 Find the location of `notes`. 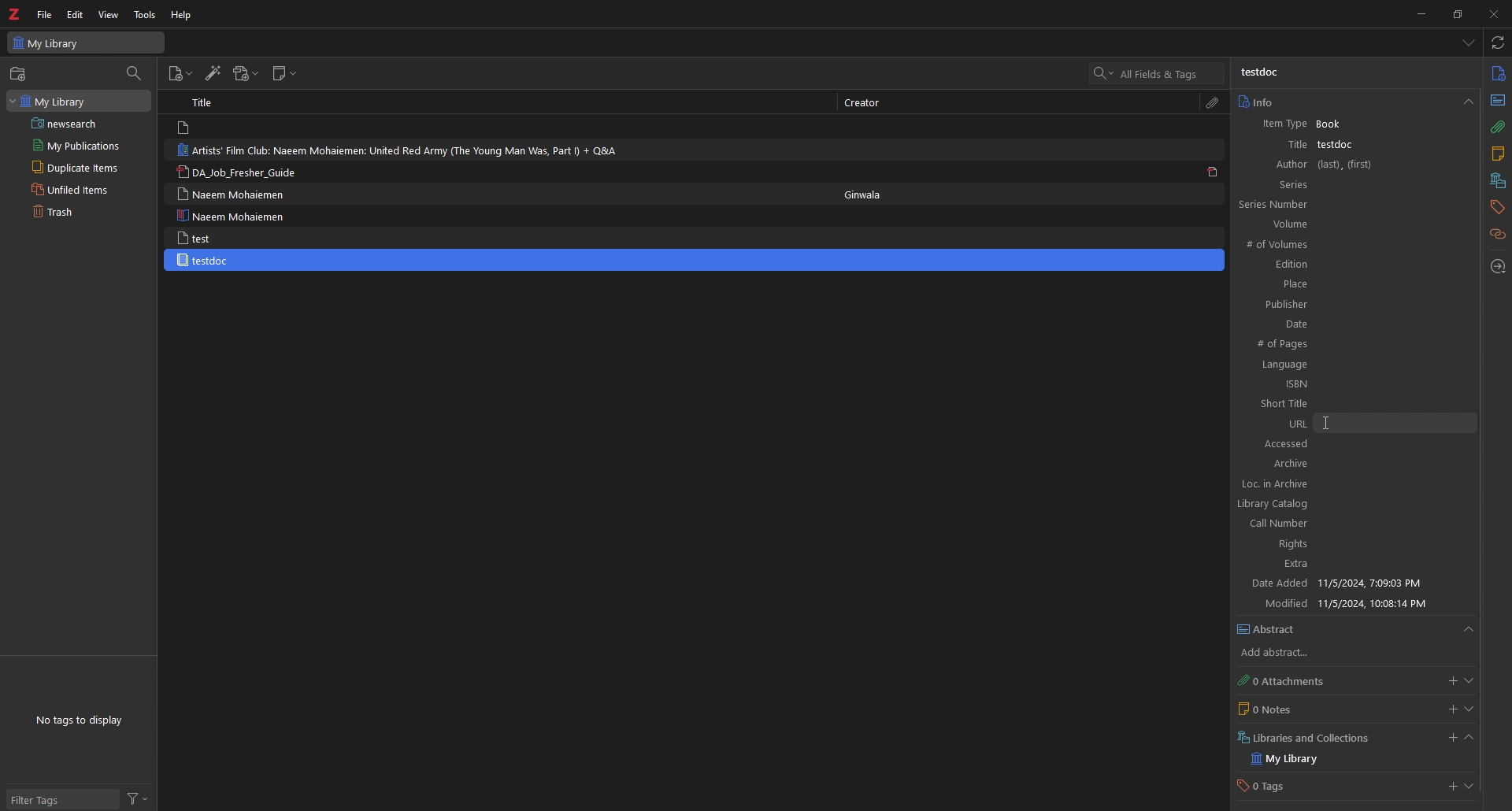

notes is located at coordinates (1497, 154).